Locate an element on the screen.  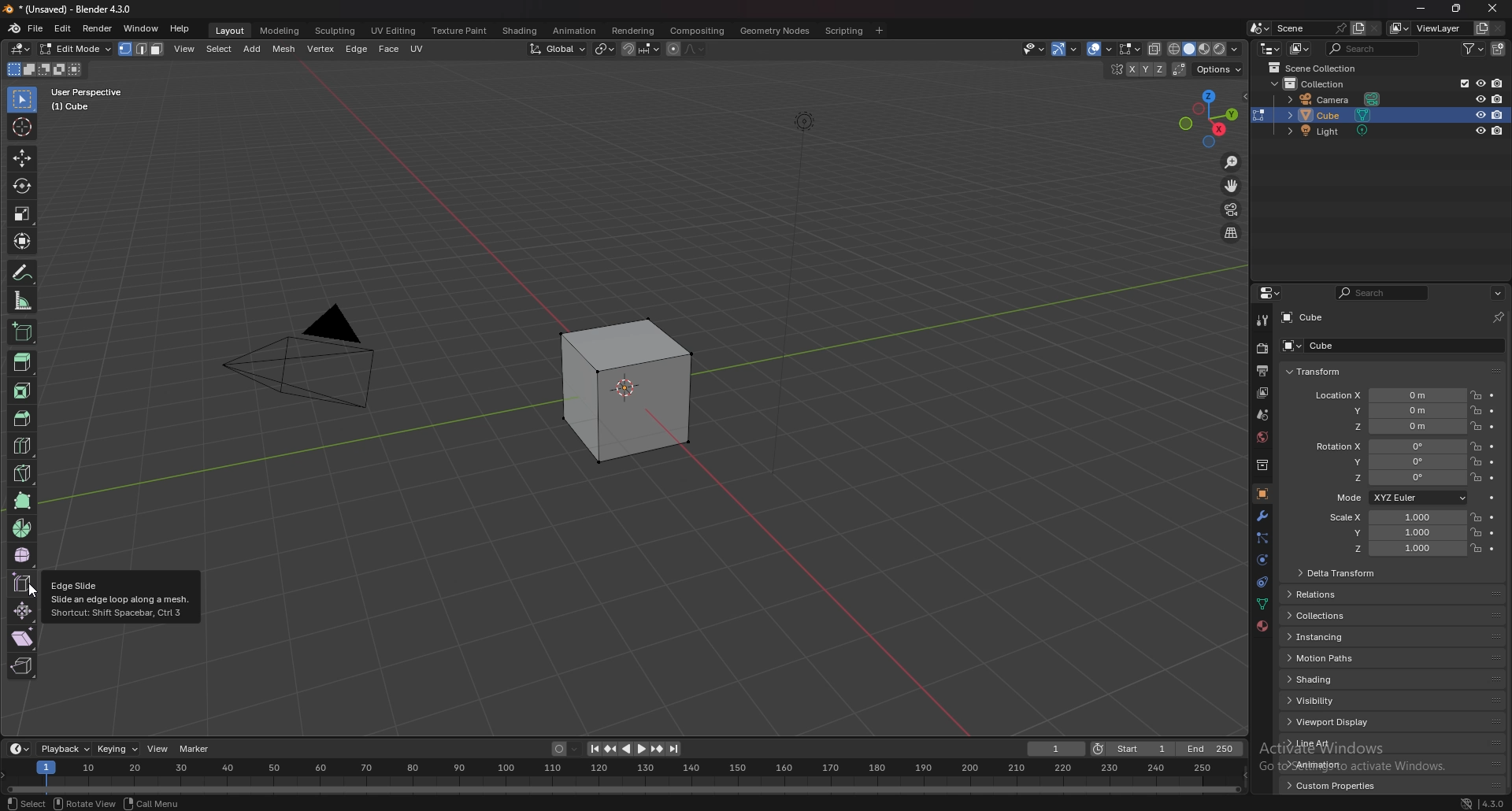
view layer is located at coordinates (1261, 393).